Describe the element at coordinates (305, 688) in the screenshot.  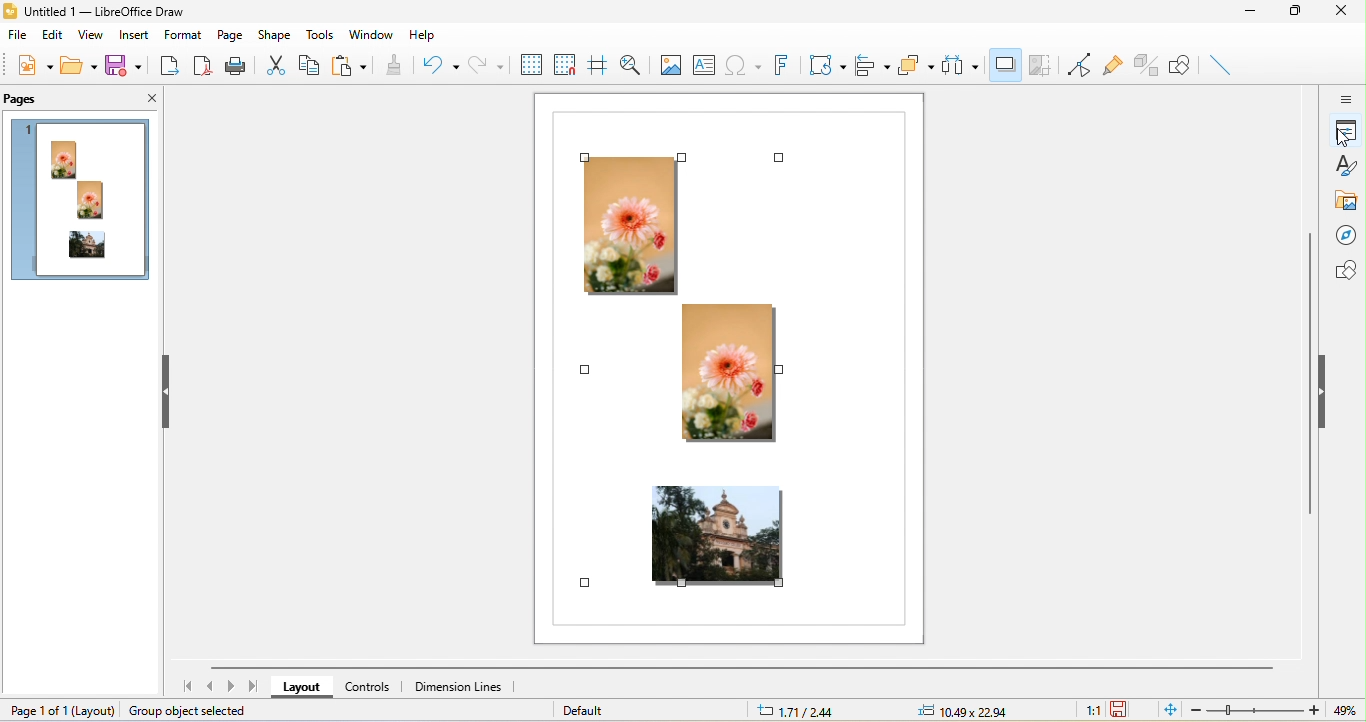
I see `layout` at that location.